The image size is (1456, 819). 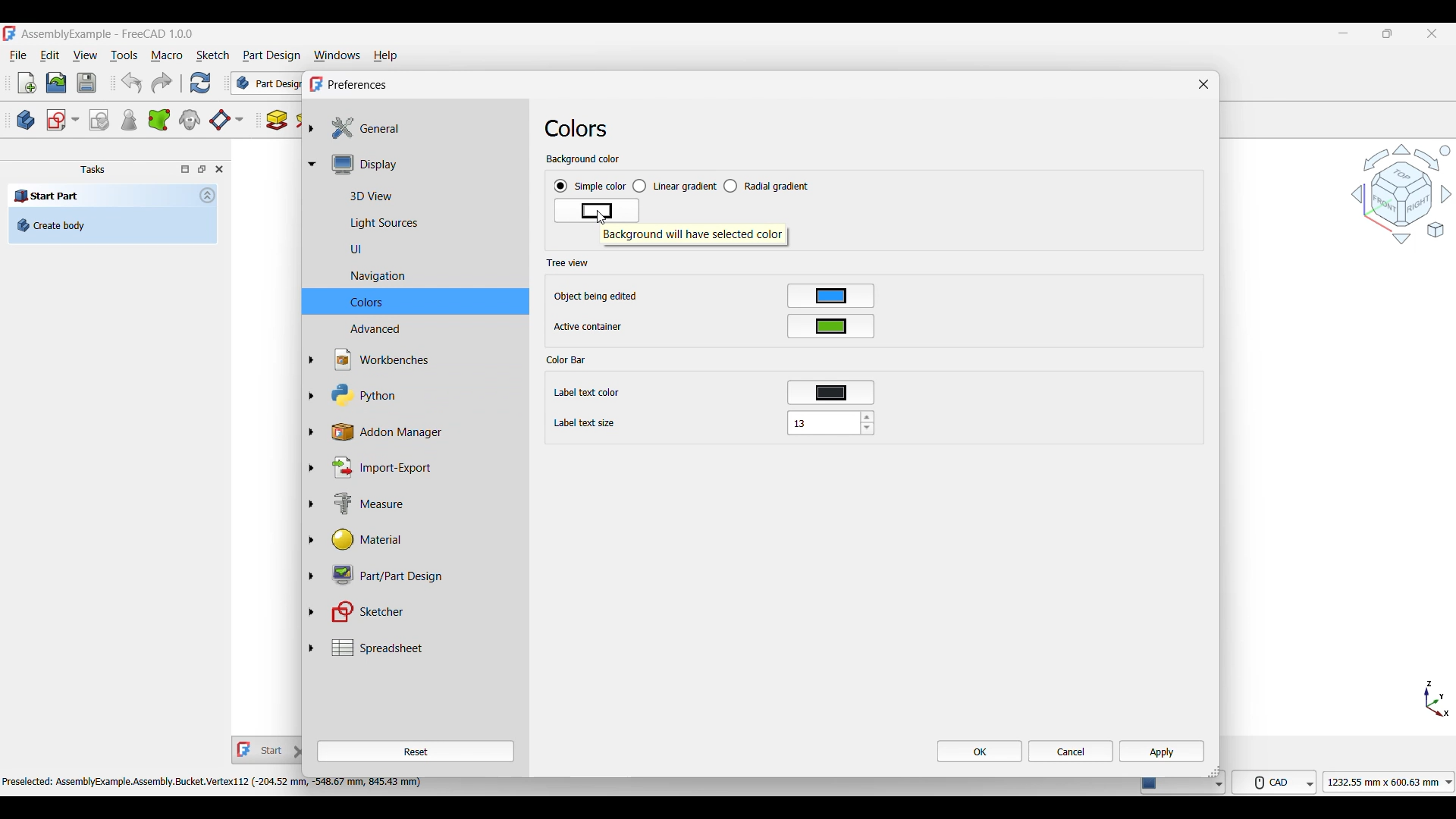 I want to click on Expand/Collapse, so click(x=312, y=388).